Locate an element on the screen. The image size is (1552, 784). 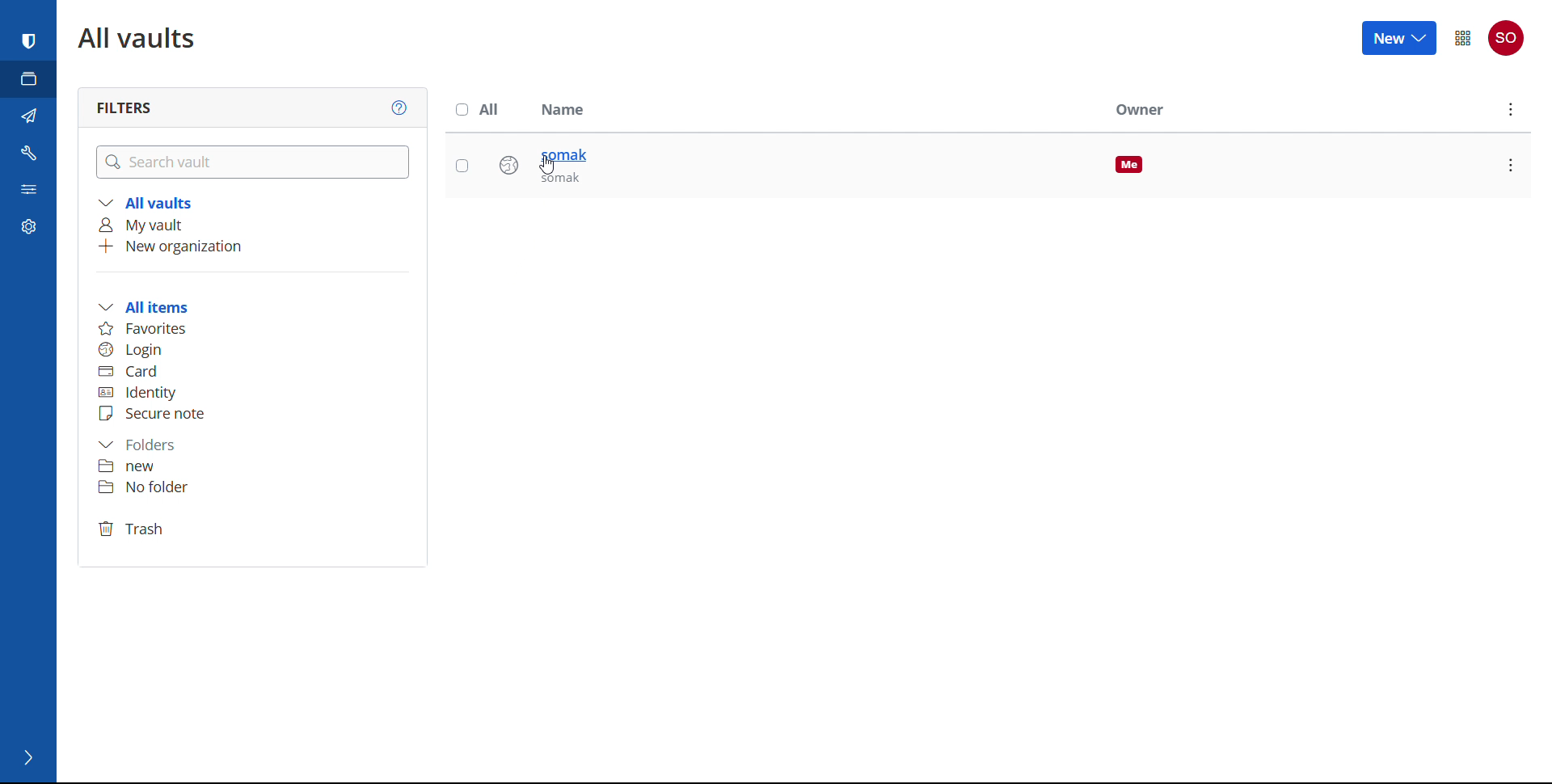
settings is located at coordinates (28, 224).